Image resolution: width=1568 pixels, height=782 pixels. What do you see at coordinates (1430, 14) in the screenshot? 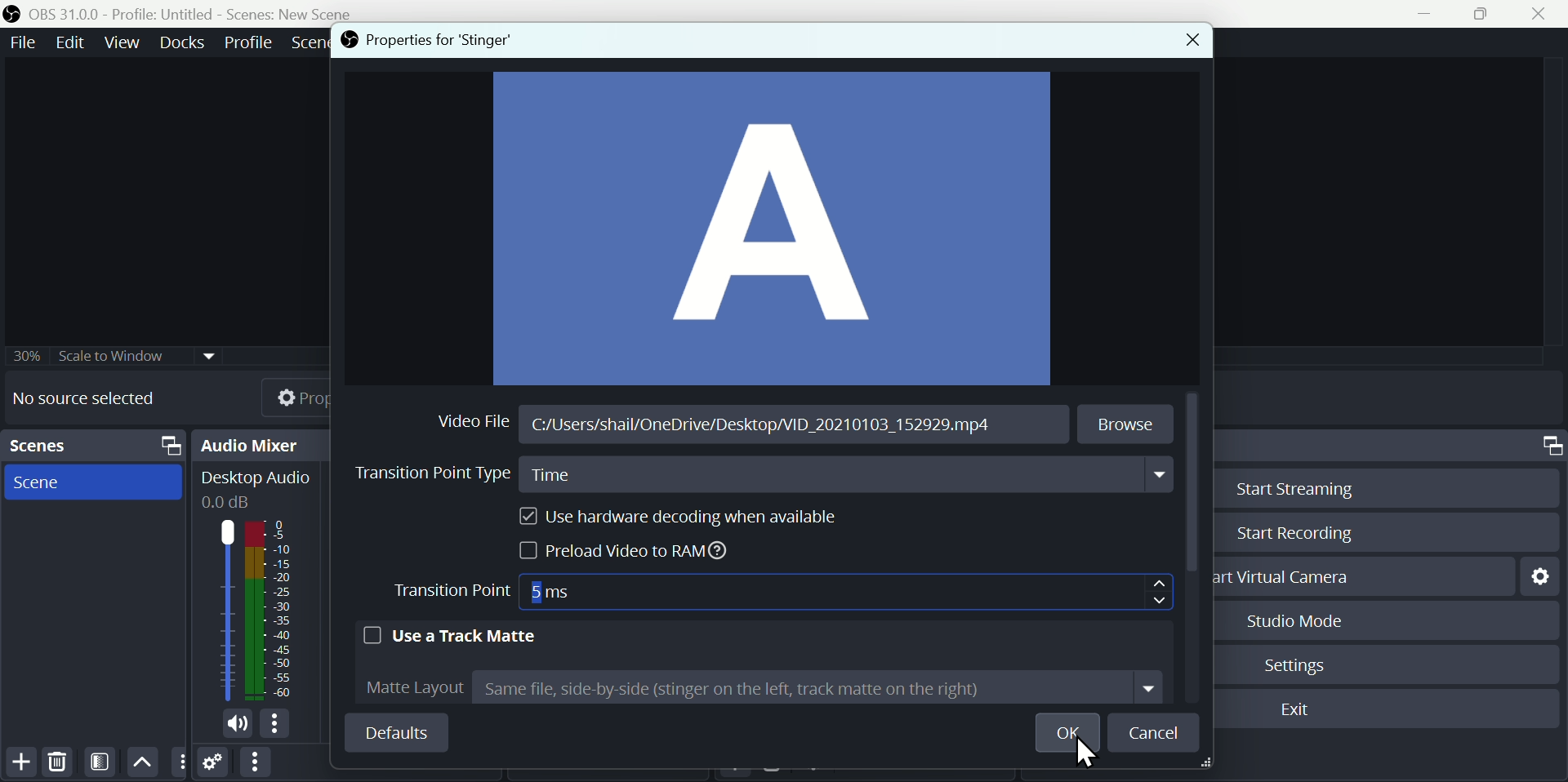
I see `minimise` at bounding box center [1430, 14].